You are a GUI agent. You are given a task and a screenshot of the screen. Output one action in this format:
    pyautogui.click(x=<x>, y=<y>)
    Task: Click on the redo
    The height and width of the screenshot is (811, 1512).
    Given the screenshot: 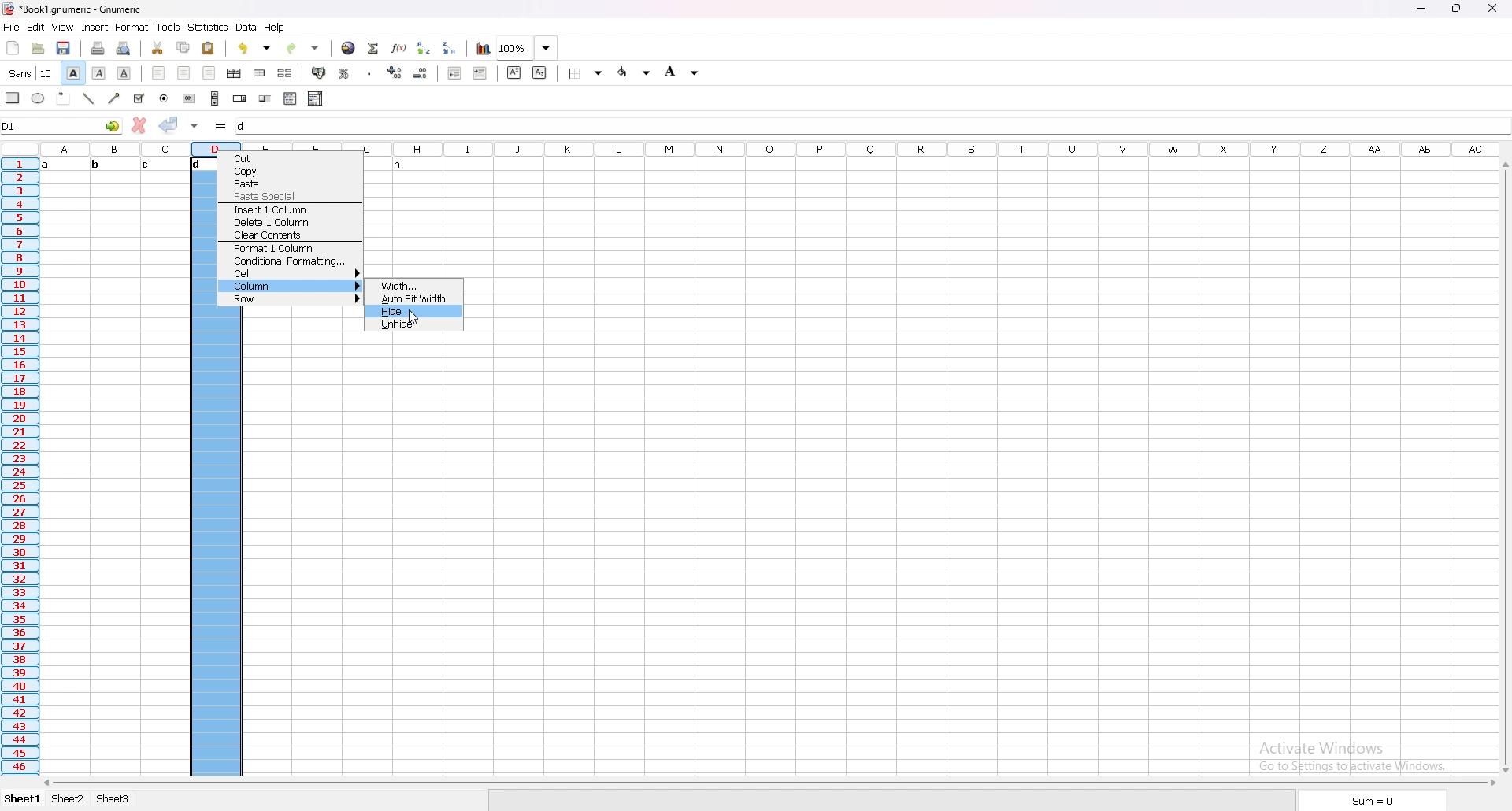 What is the action you would take?
    pyautogui.click(x=305, y=48)
    